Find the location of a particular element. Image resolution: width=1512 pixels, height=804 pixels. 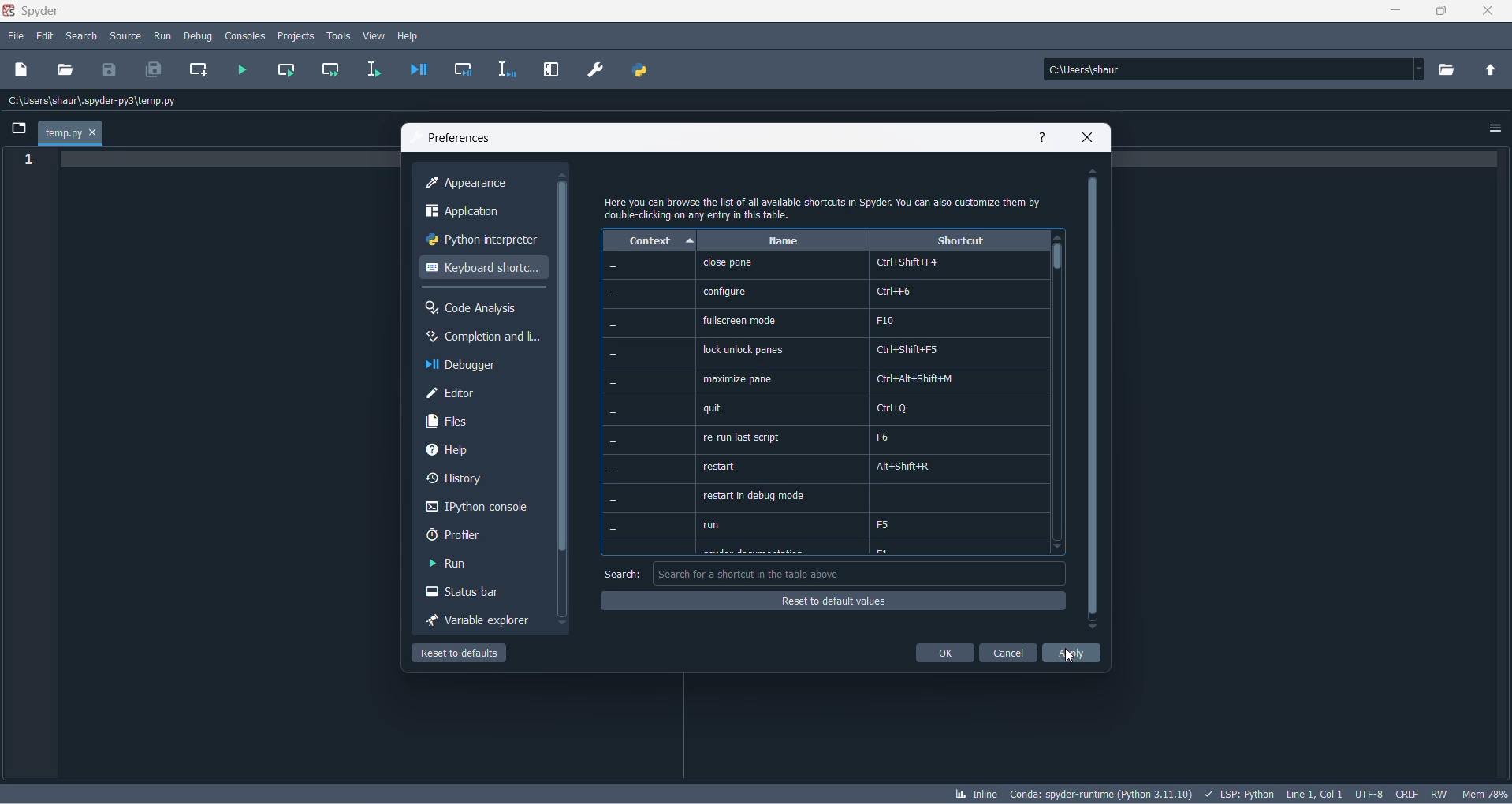

path is located at coordinates (1230, 69).